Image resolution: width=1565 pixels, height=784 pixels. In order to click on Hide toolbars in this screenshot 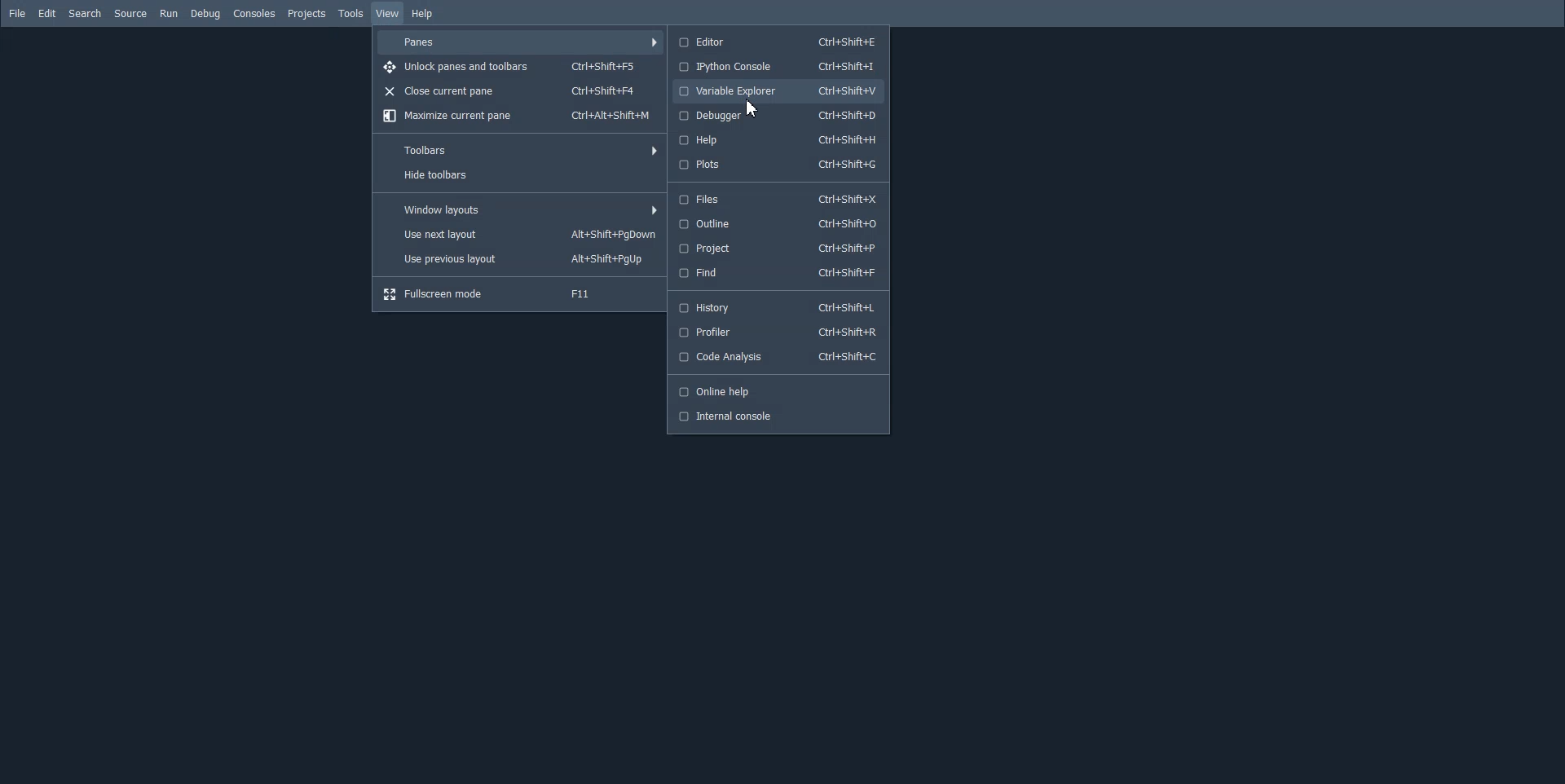, I will do `click(521, 174)`.